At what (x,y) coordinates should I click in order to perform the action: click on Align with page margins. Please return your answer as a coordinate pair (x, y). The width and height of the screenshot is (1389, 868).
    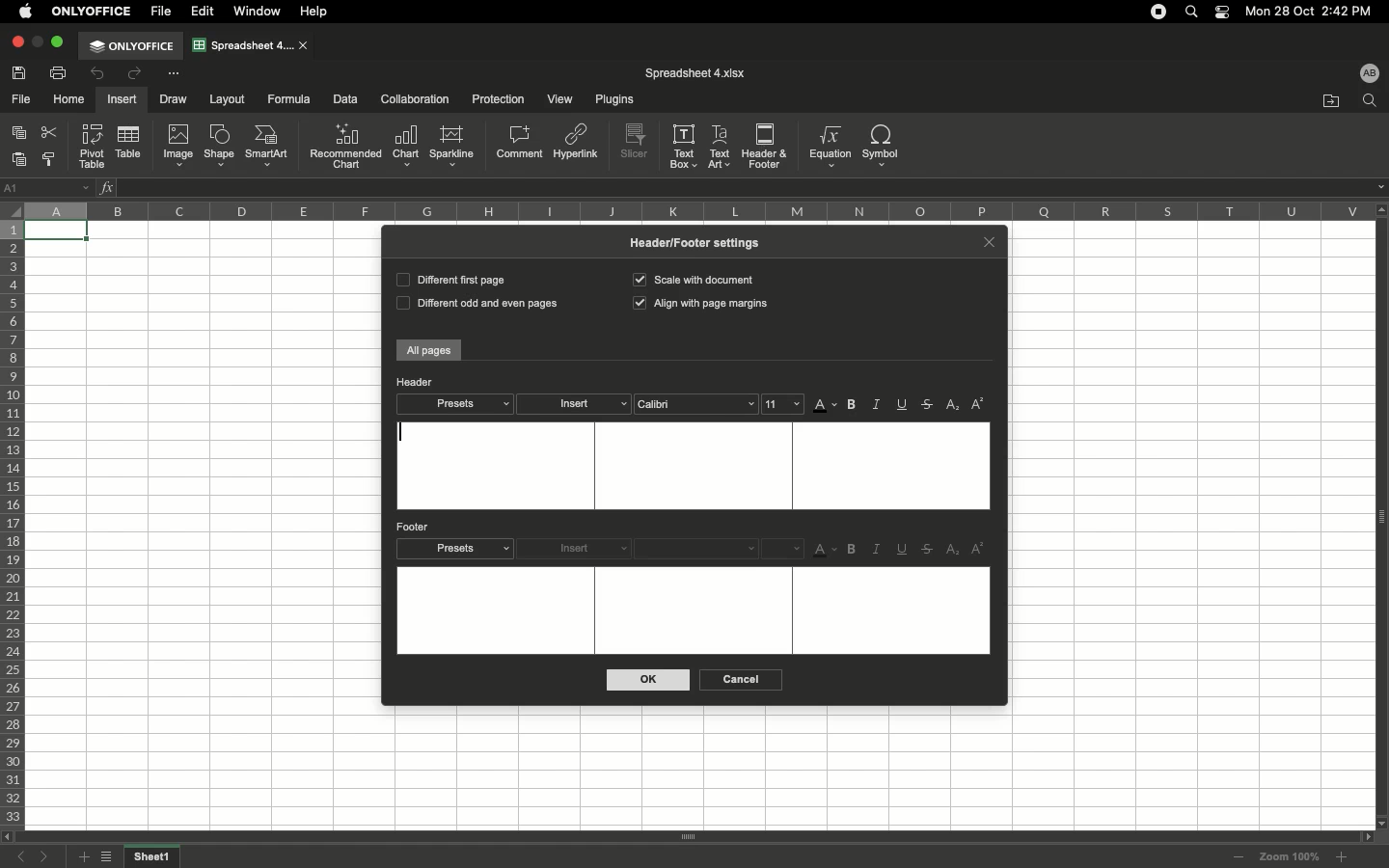
    Looking at the image, I should click on (702, 305).